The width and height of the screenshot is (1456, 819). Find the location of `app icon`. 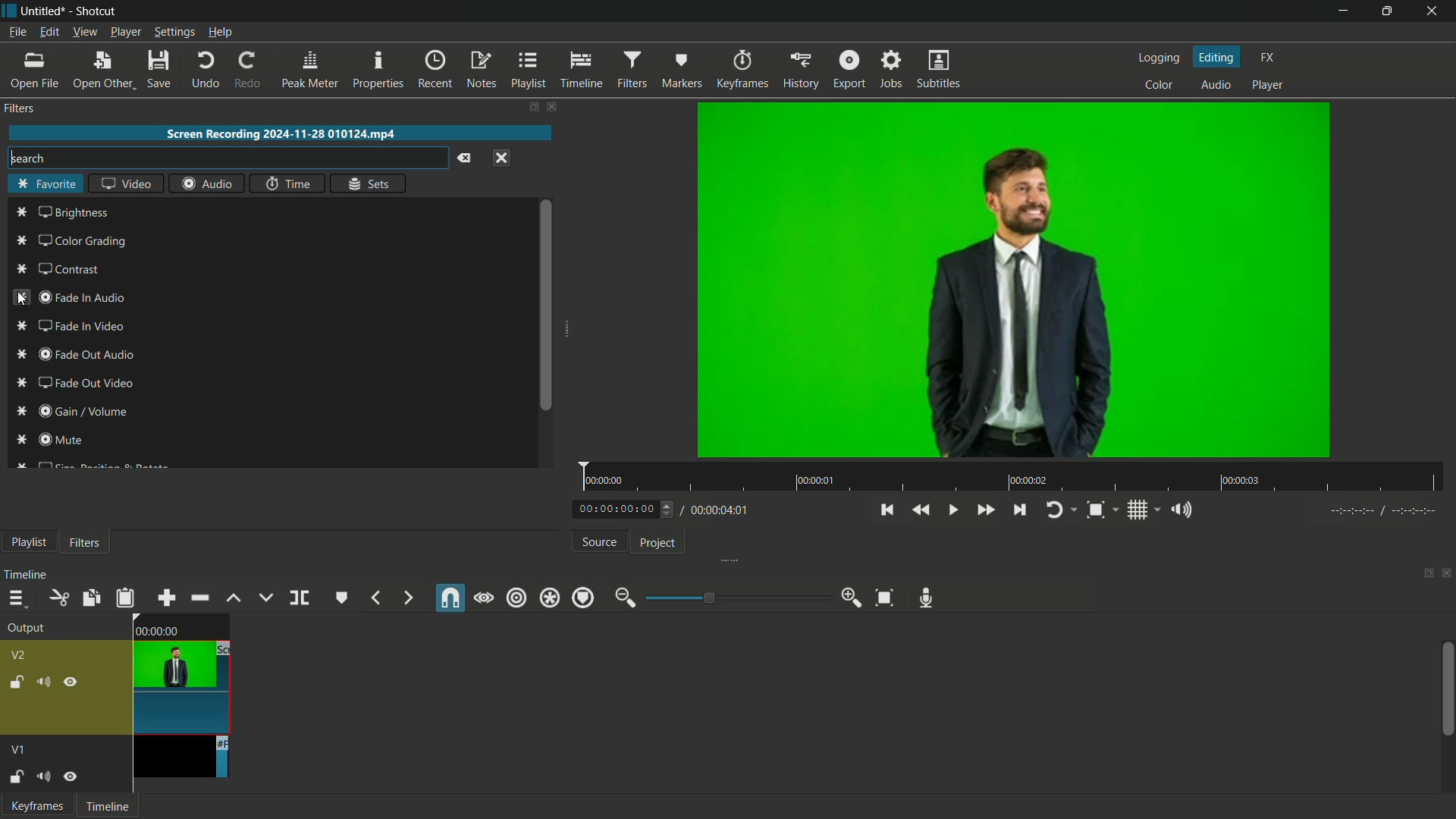

app icon is located at coordinates (9, 11).